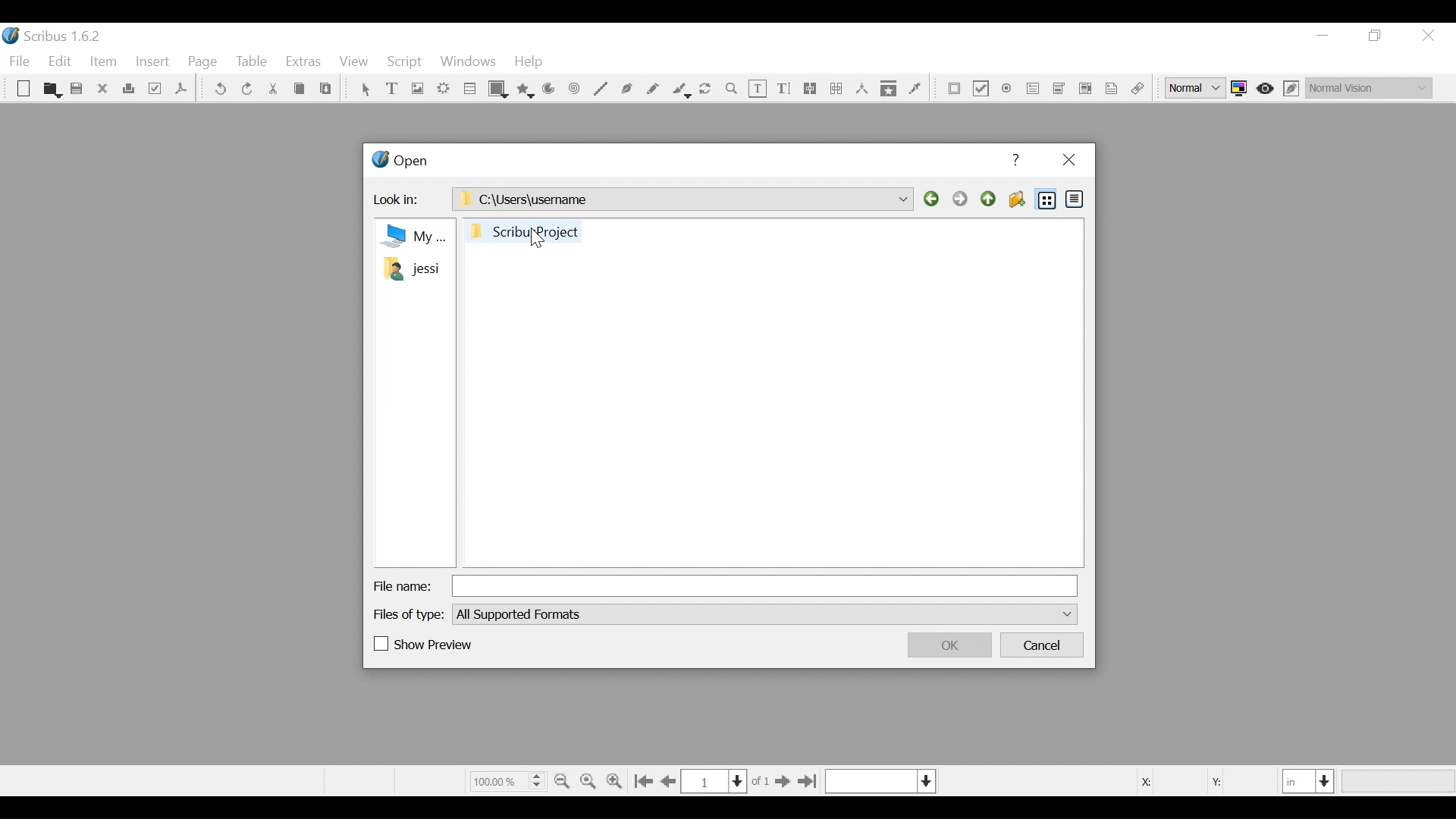 Image resolution: width=1456 pixels, height=819 pixels. What do you see at coordinates (1376, 36) in the screenshot?
I see `Restore` at bounding box center [1376, 36].